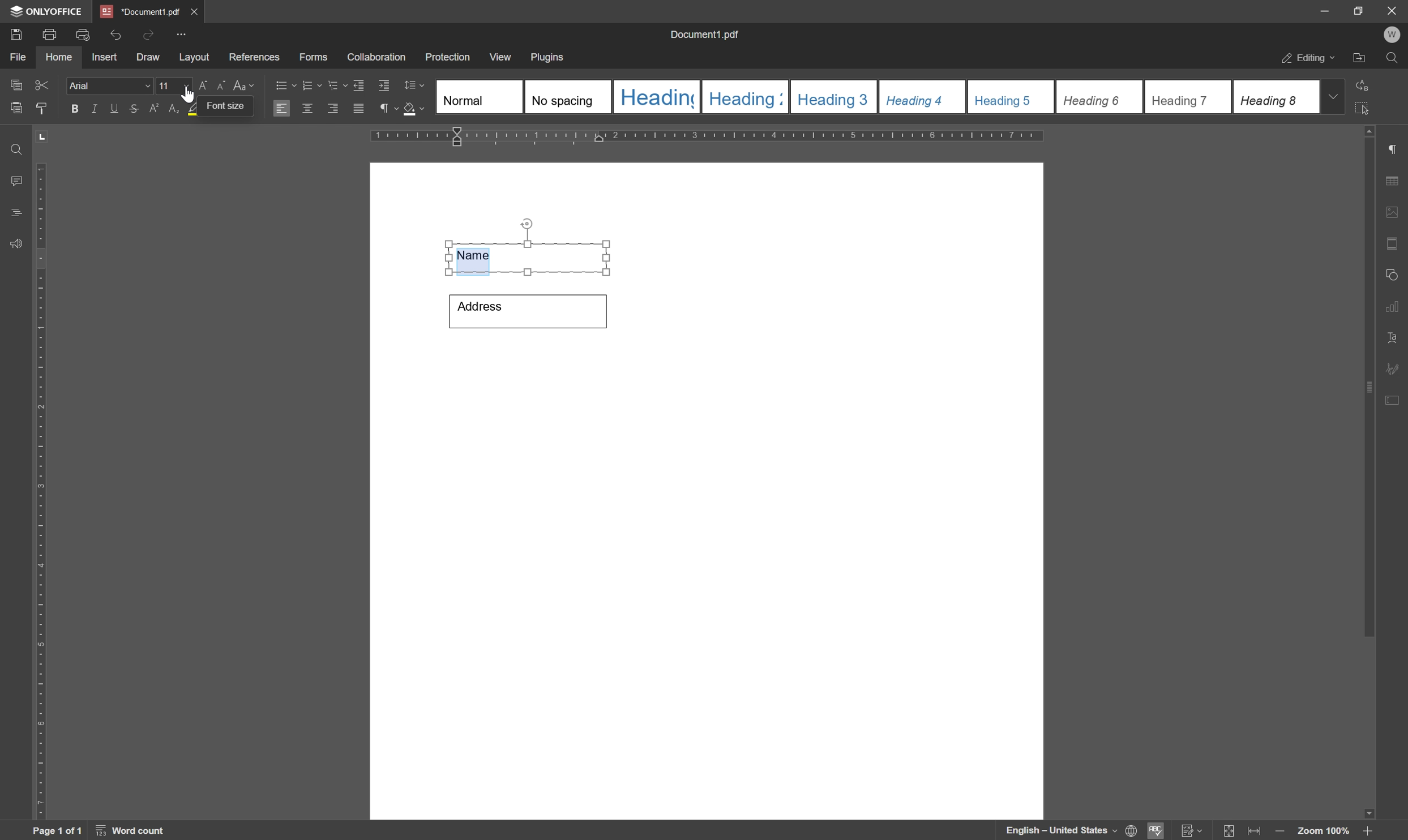 The height and width of the screenshot is (840, 1408). I want to click on track changes, so click(1191, 831).